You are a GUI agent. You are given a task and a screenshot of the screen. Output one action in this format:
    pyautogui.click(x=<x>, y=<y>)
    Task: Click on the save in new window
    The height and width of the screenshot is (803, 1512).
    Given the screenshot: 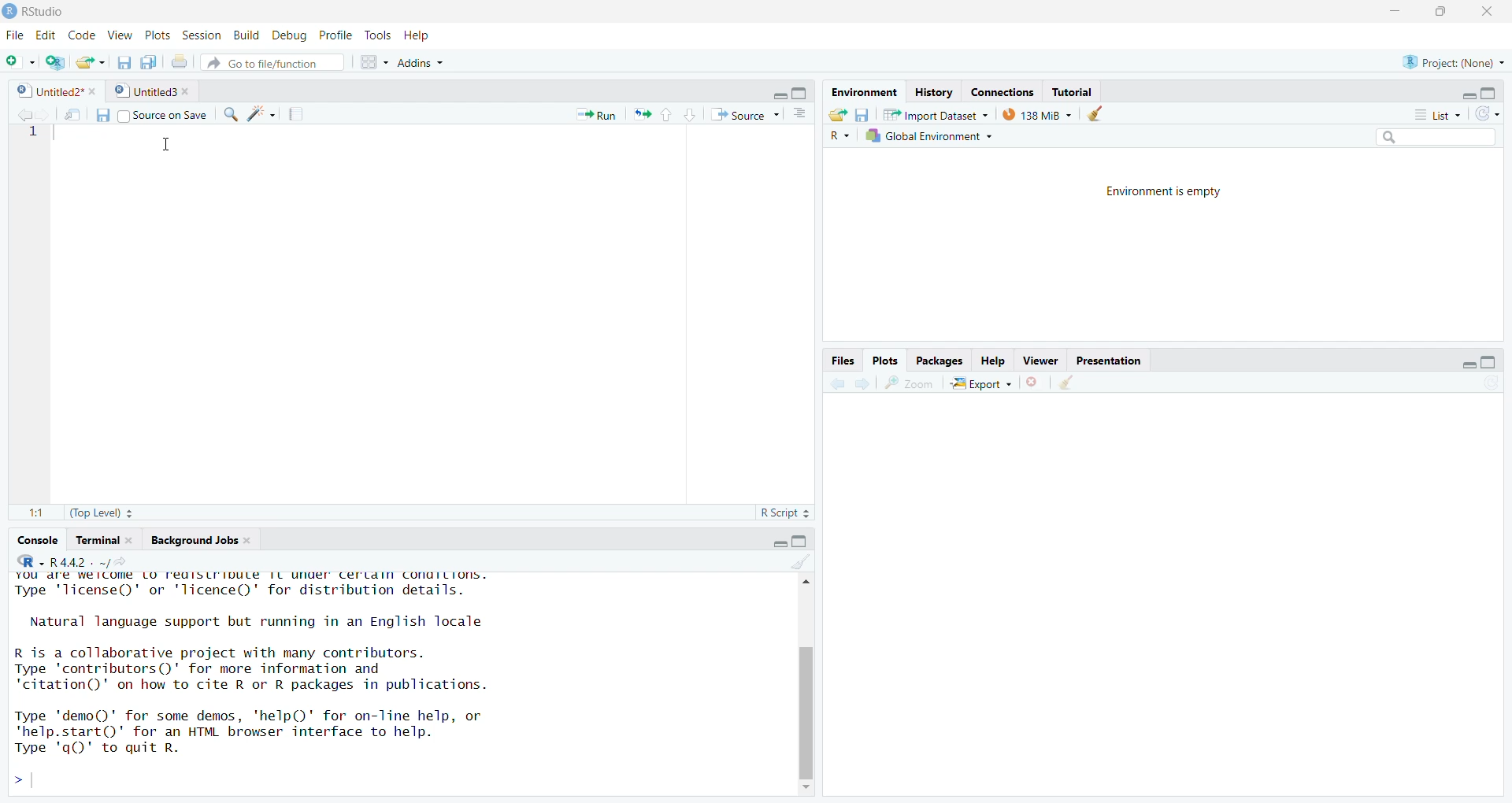 What is the action you would take?
    pyautogui.click(x=67, y=111)
    